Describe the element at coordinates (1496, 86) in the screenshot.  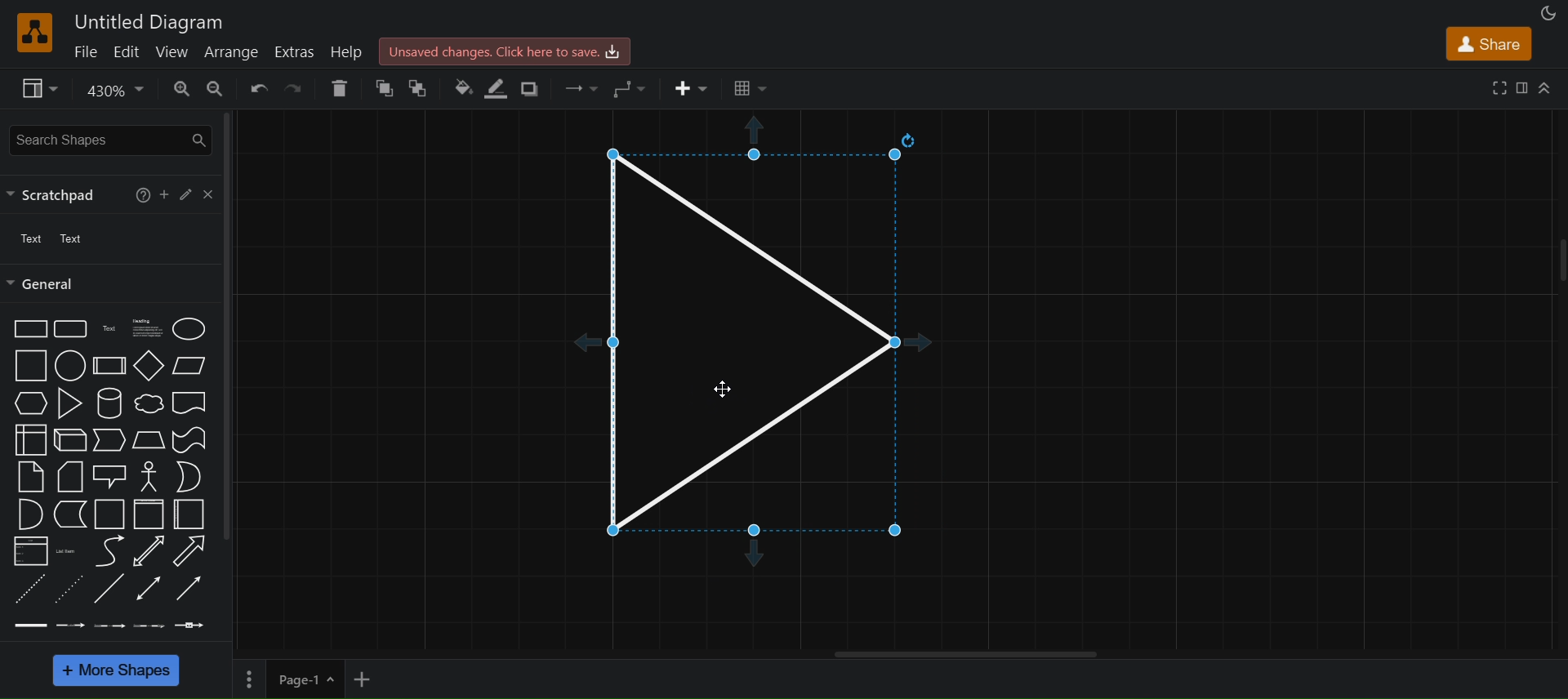
I see `fullscreen` at that location.